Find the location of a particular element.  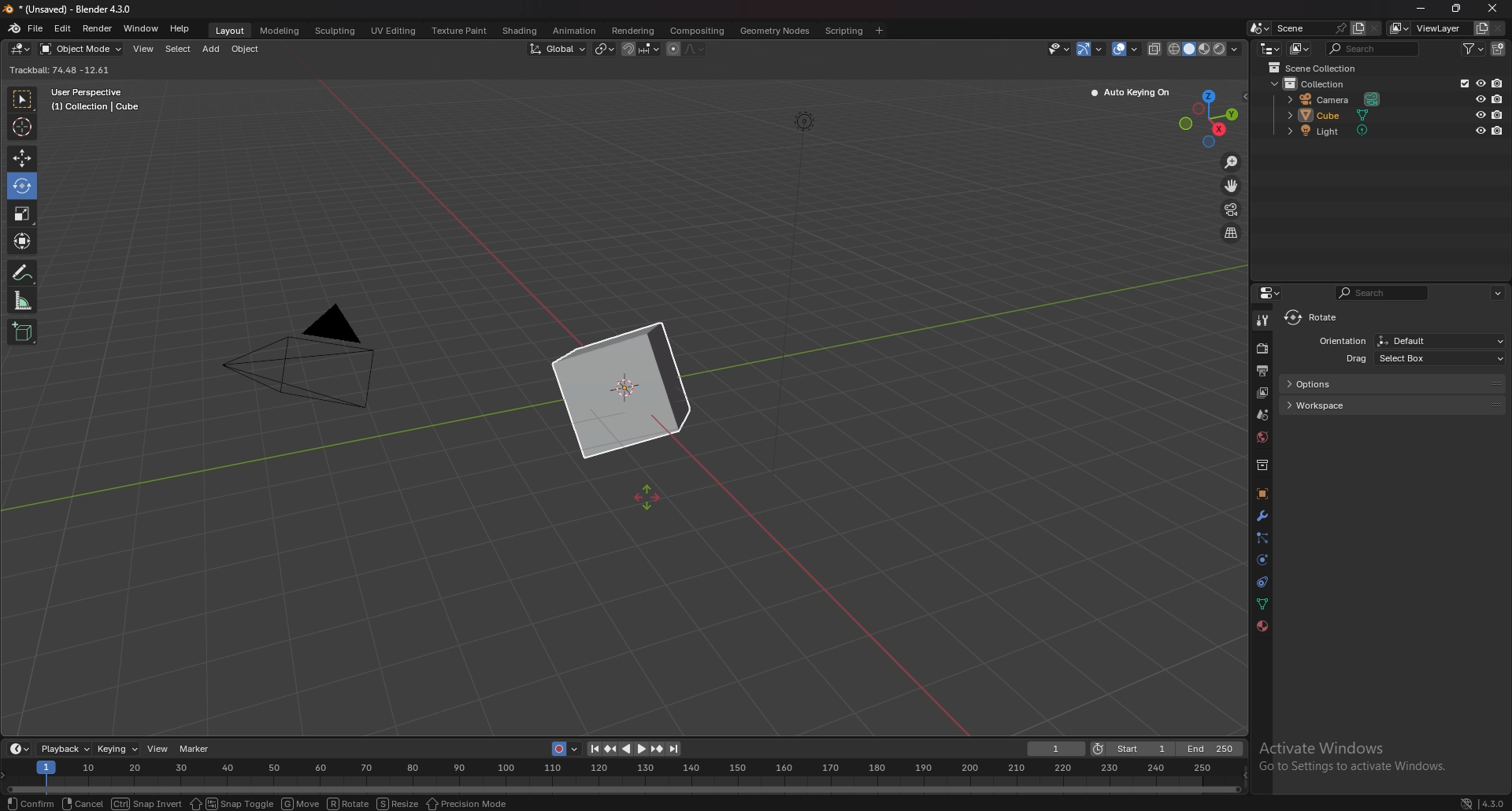

auto keying on is located at coordinates (1131, 93).